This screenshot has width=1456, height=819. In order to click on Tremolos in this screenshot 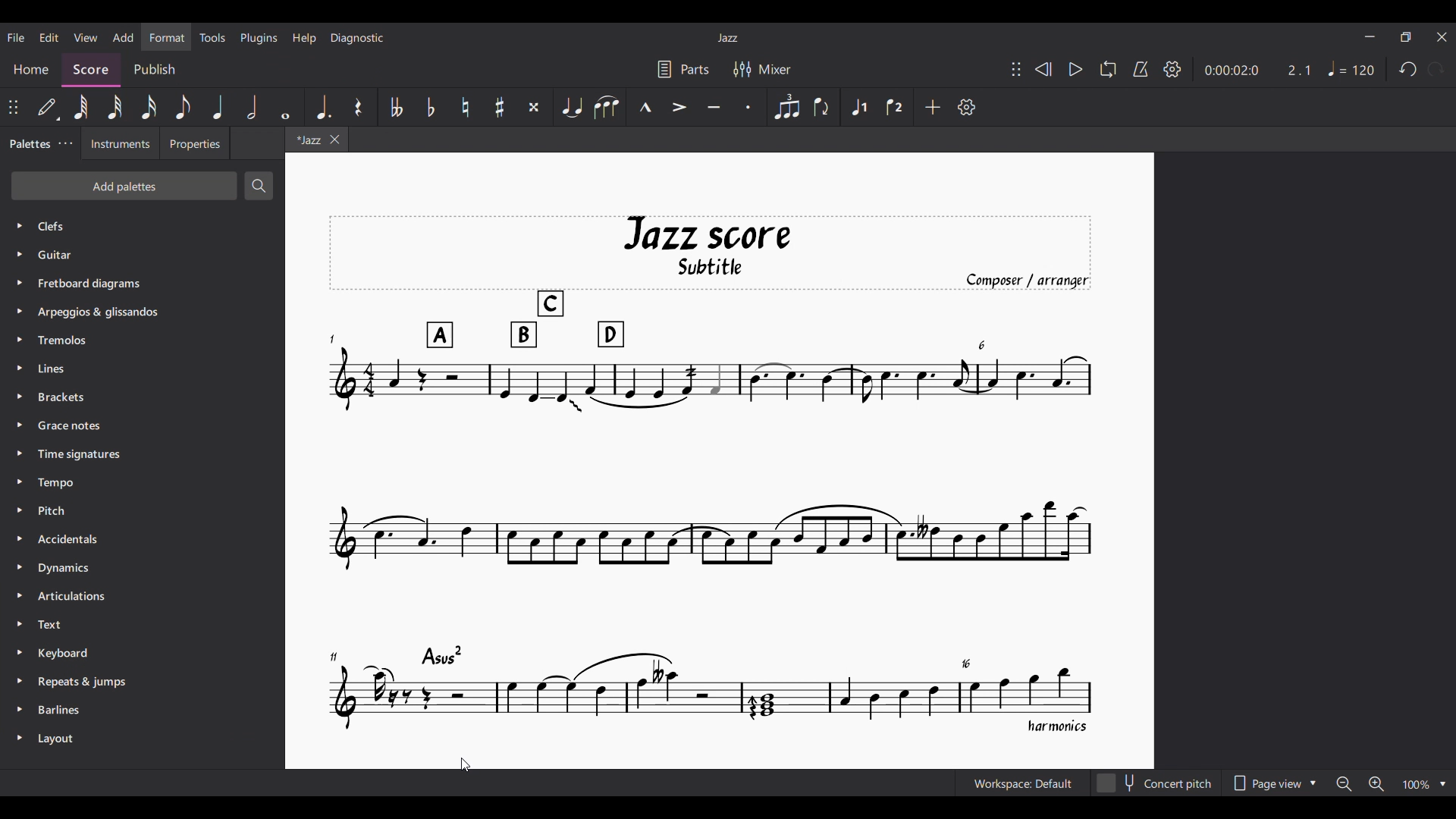, I will do `click(61, 343)`.